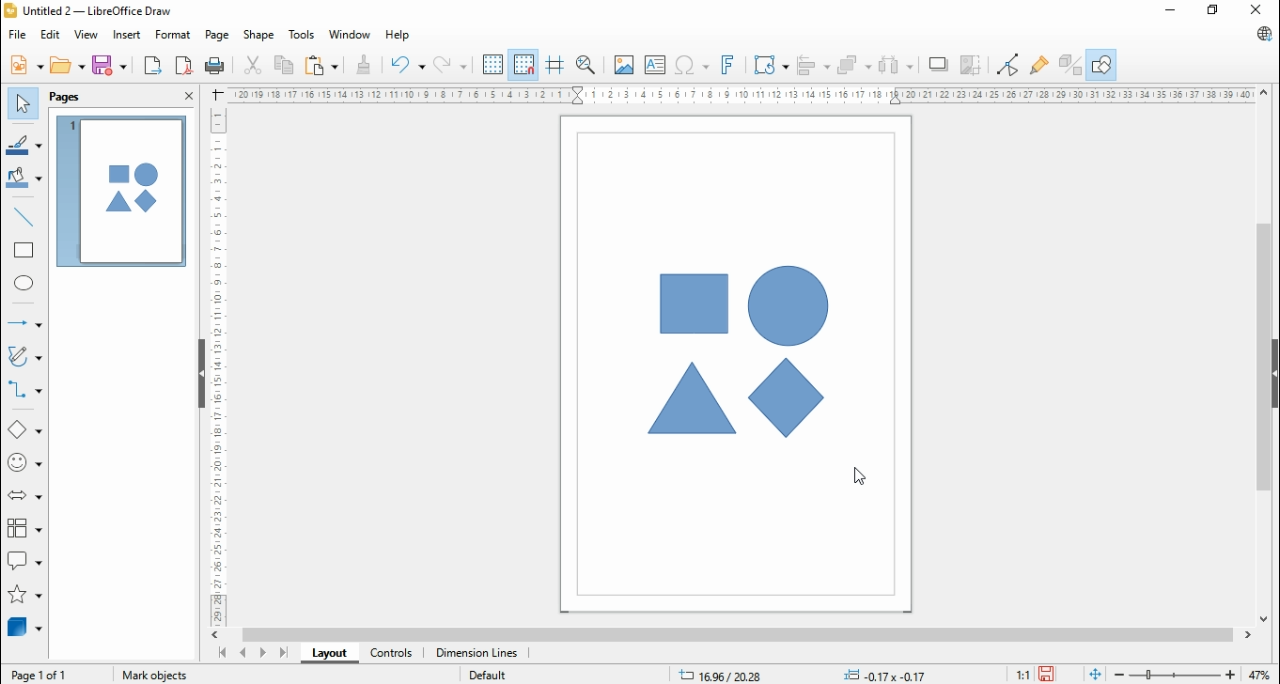 The height and width of the screenshot is (684, 1280). I want to click on layout, so click(325, 654).